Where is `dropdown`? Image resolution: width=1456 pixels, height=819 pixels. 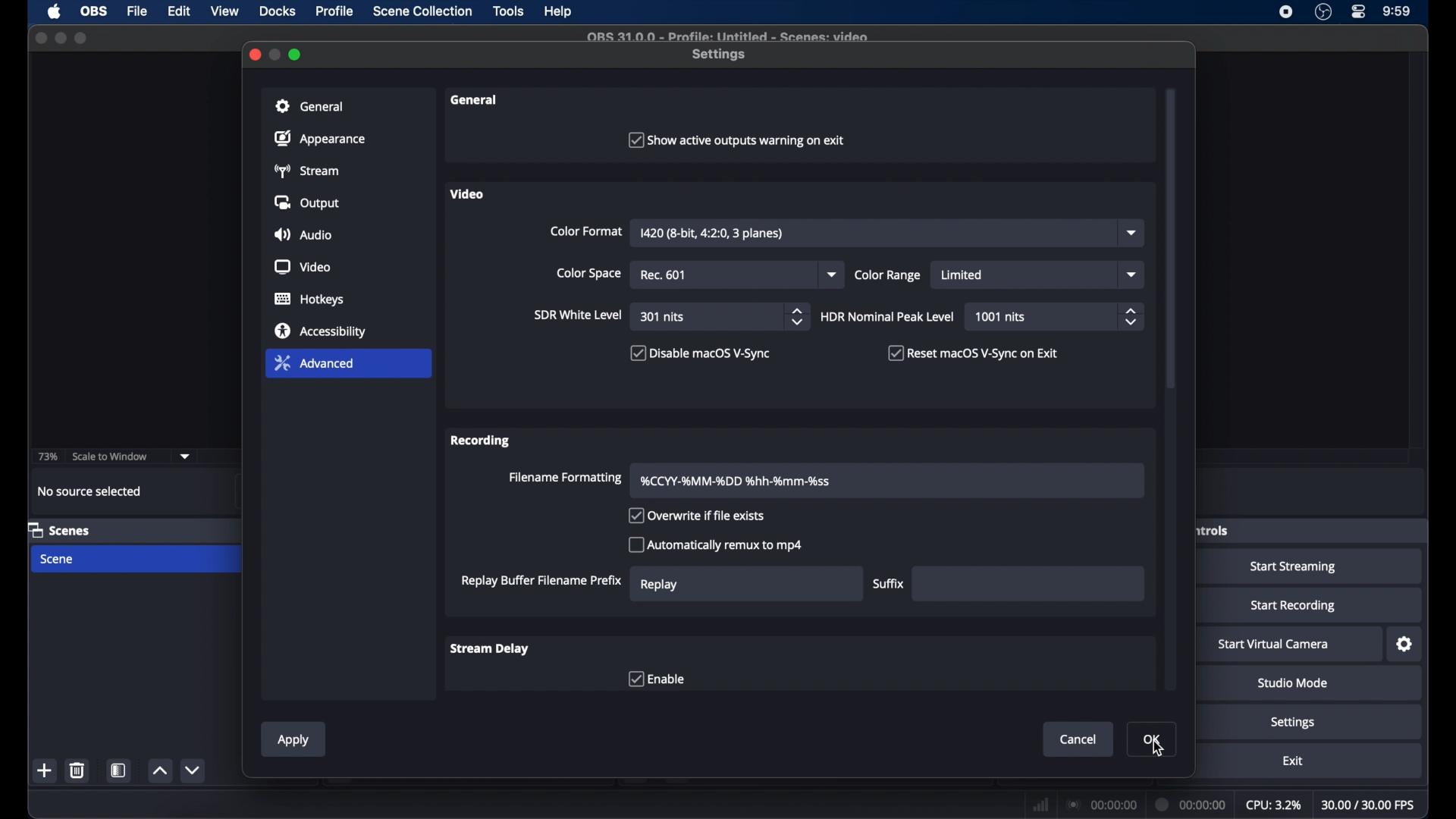
dropdown is located at coordinates (1130, 274).